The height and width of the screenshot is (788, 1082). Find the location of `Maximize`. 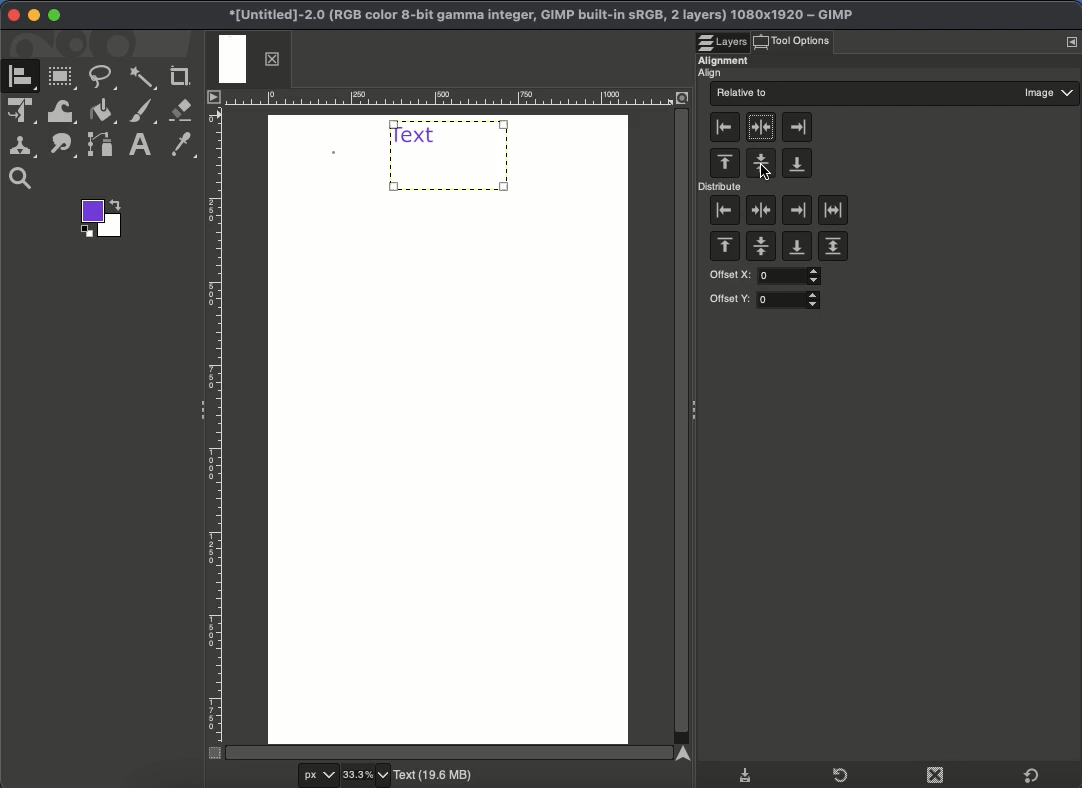

Maximize is located at coordinates (54, 16).